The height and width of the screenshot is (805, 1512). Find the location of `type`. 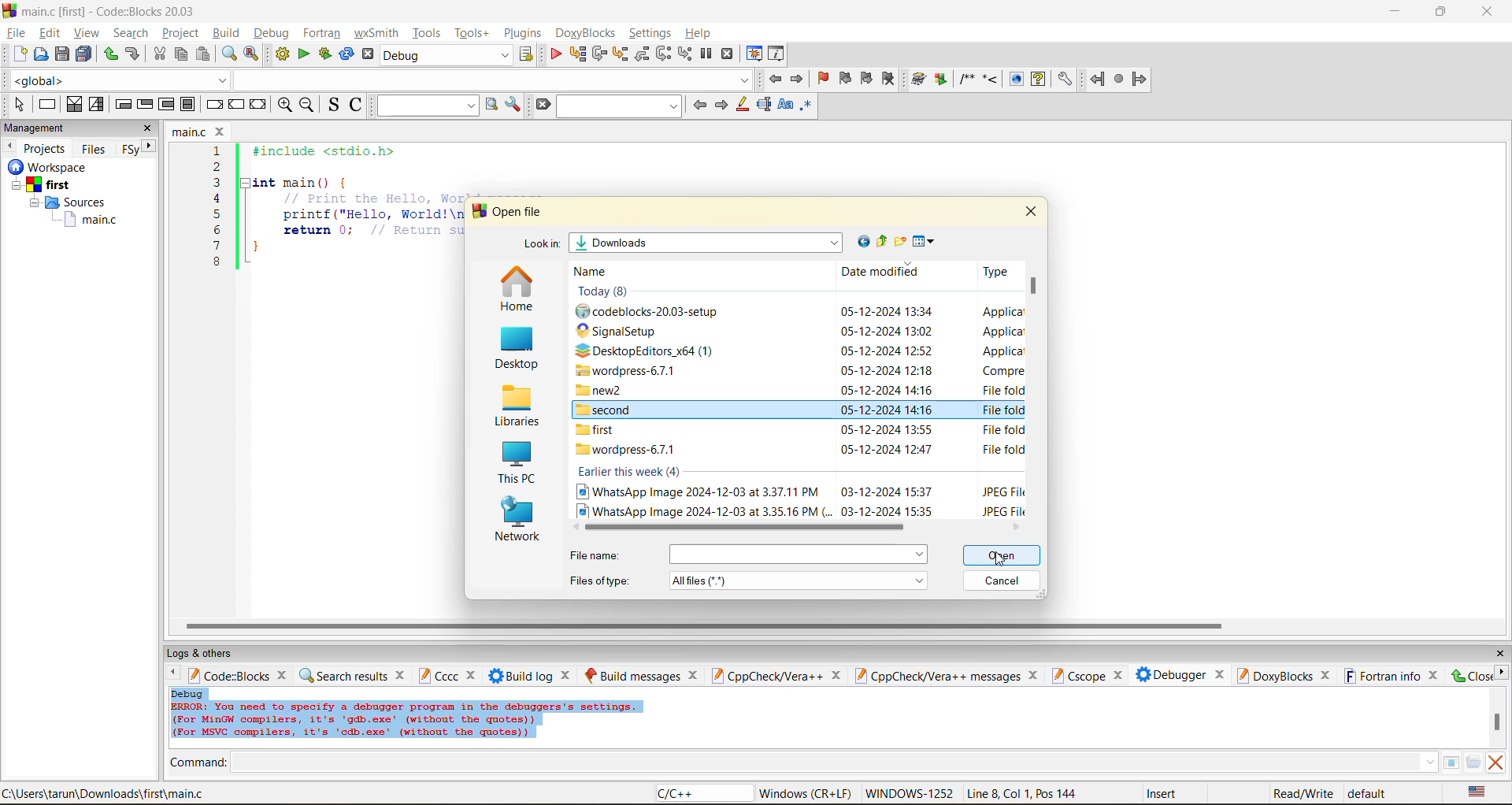

type is located at coordinates (1002, 510).